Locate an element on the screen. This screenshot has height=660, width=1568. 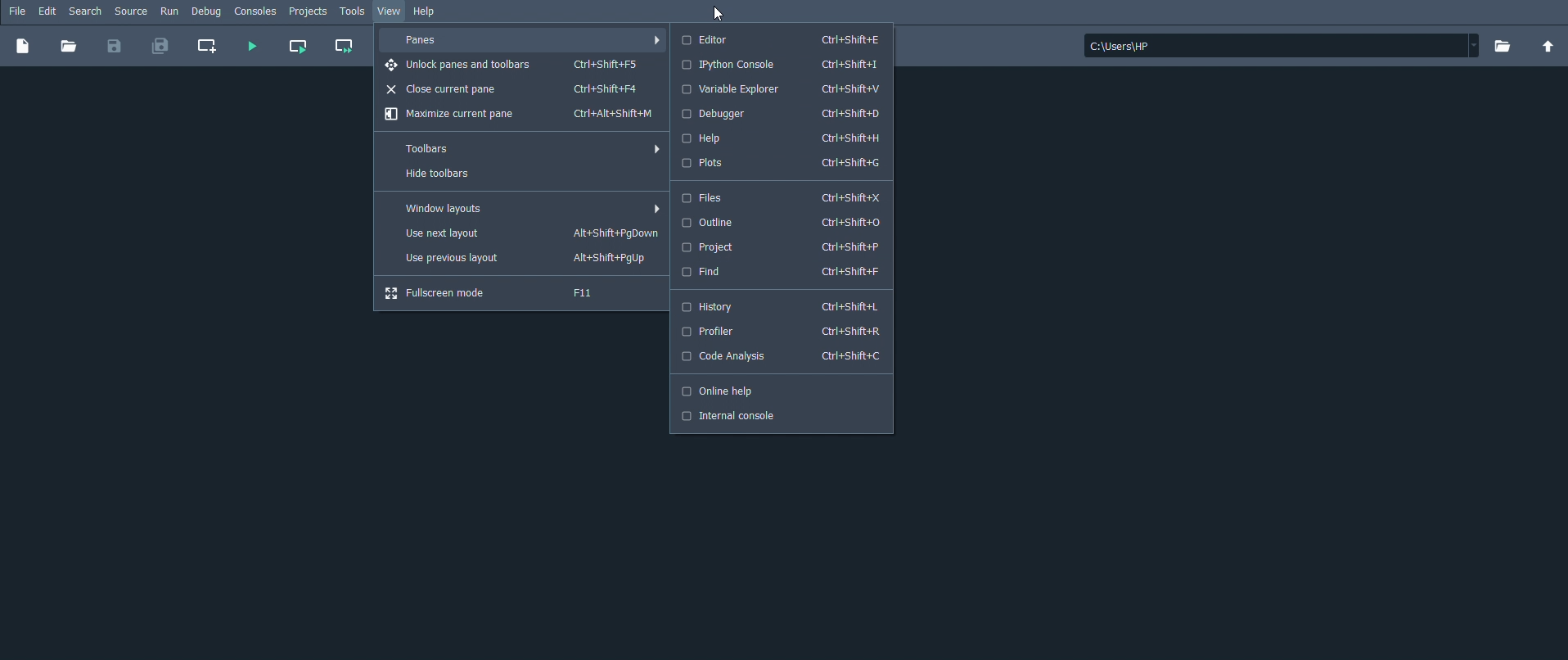
Source is located at coordinates (131, 11).